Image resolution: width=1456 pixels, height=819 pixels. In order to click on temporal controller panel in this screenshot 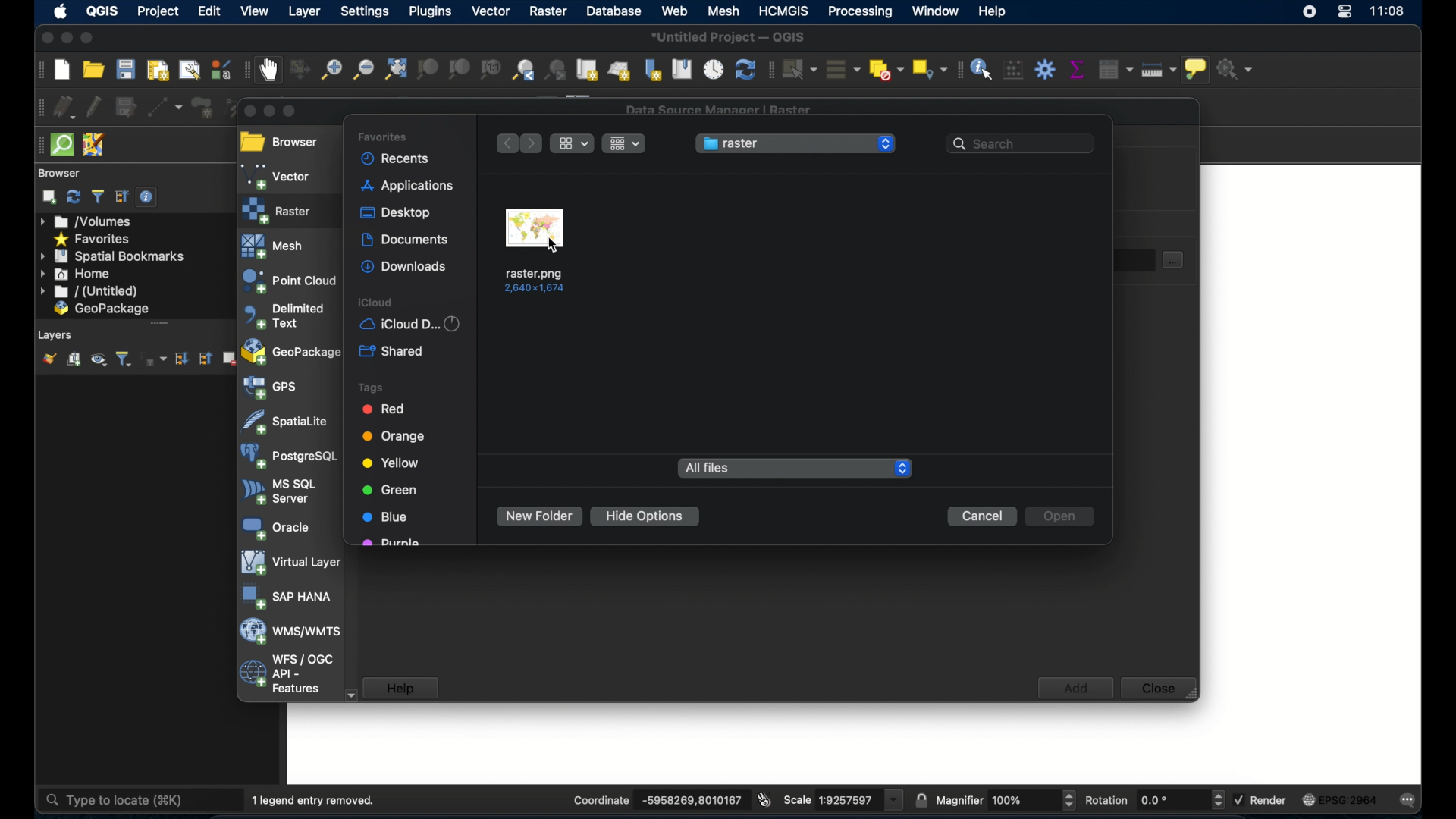, I will do `click(714, 69)`.